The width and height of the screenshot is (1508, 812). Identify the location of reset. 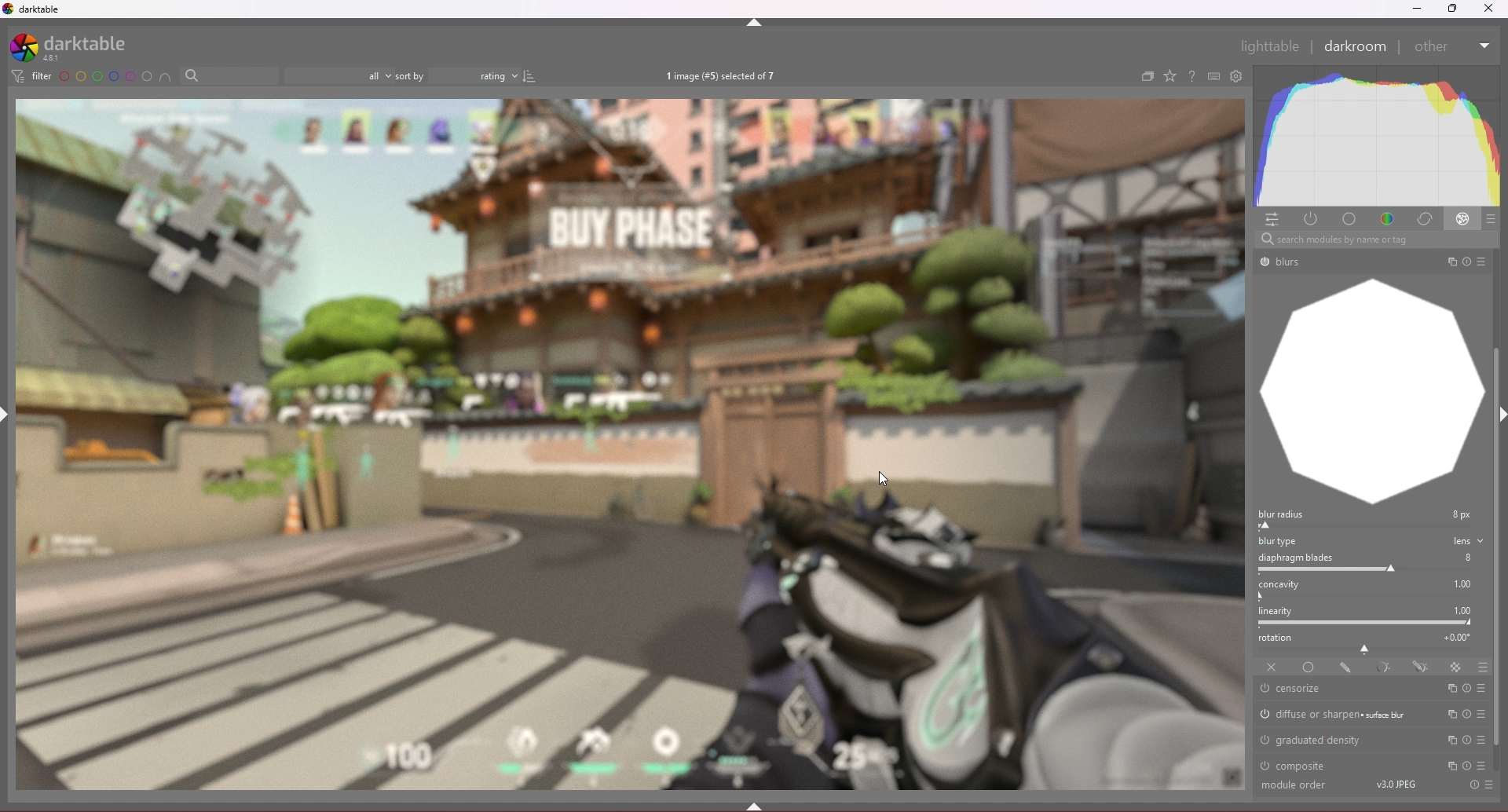
(1468, 688).